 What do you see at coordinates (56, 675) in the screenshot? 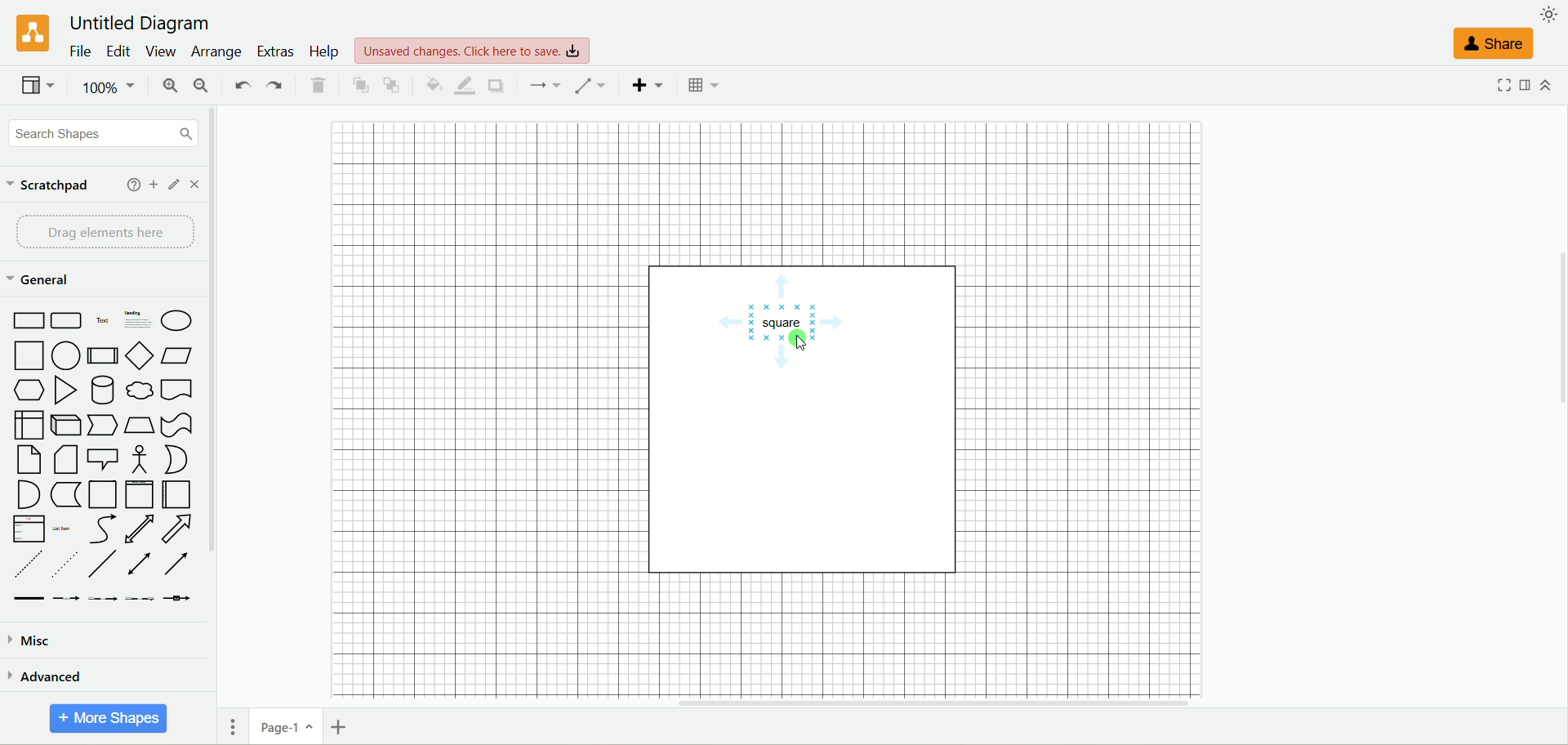
I see `advanced` at bounding box center [56, 675].